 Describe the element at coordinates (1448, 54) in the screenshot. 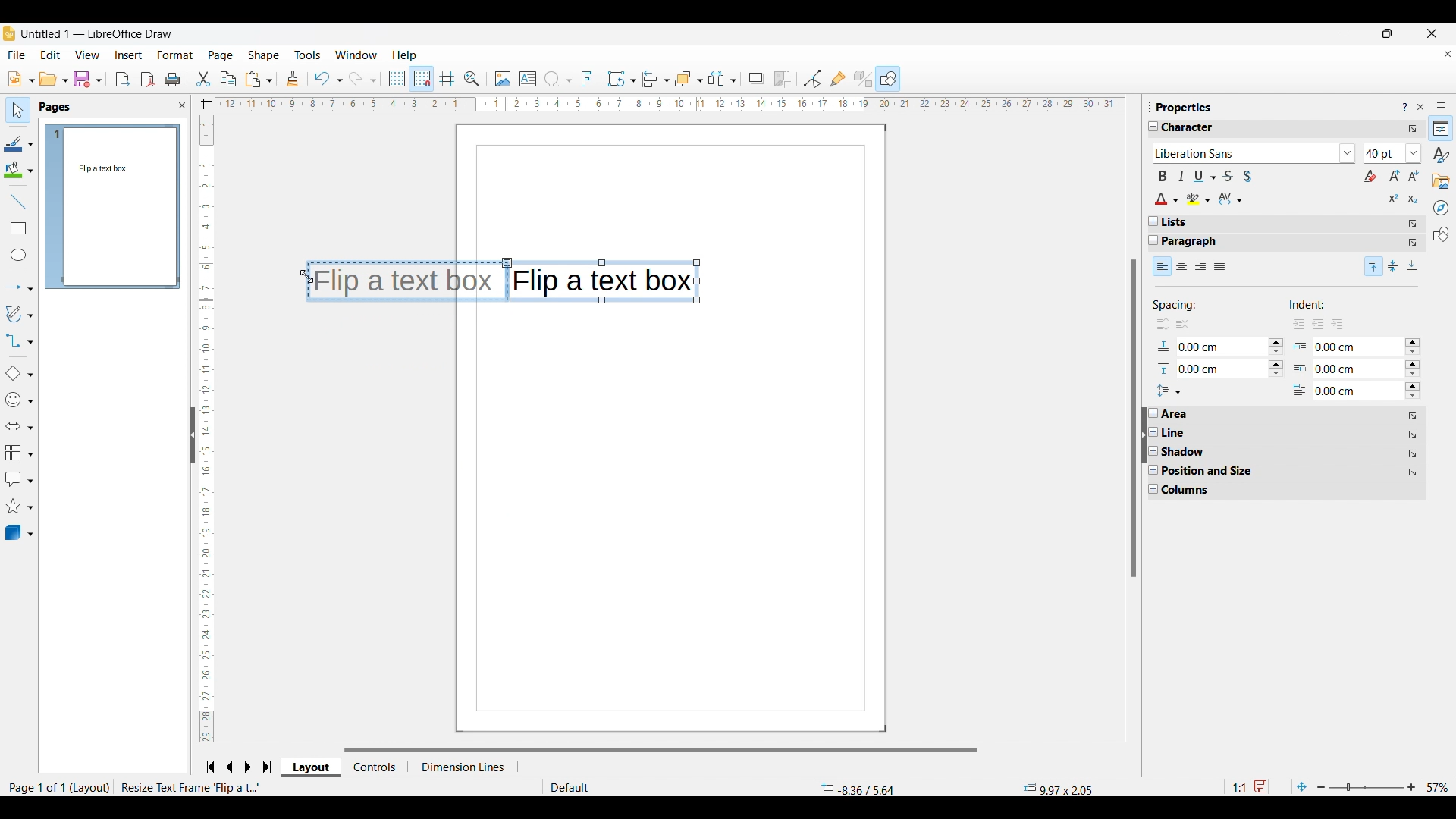

I see `Close current document` at that location.